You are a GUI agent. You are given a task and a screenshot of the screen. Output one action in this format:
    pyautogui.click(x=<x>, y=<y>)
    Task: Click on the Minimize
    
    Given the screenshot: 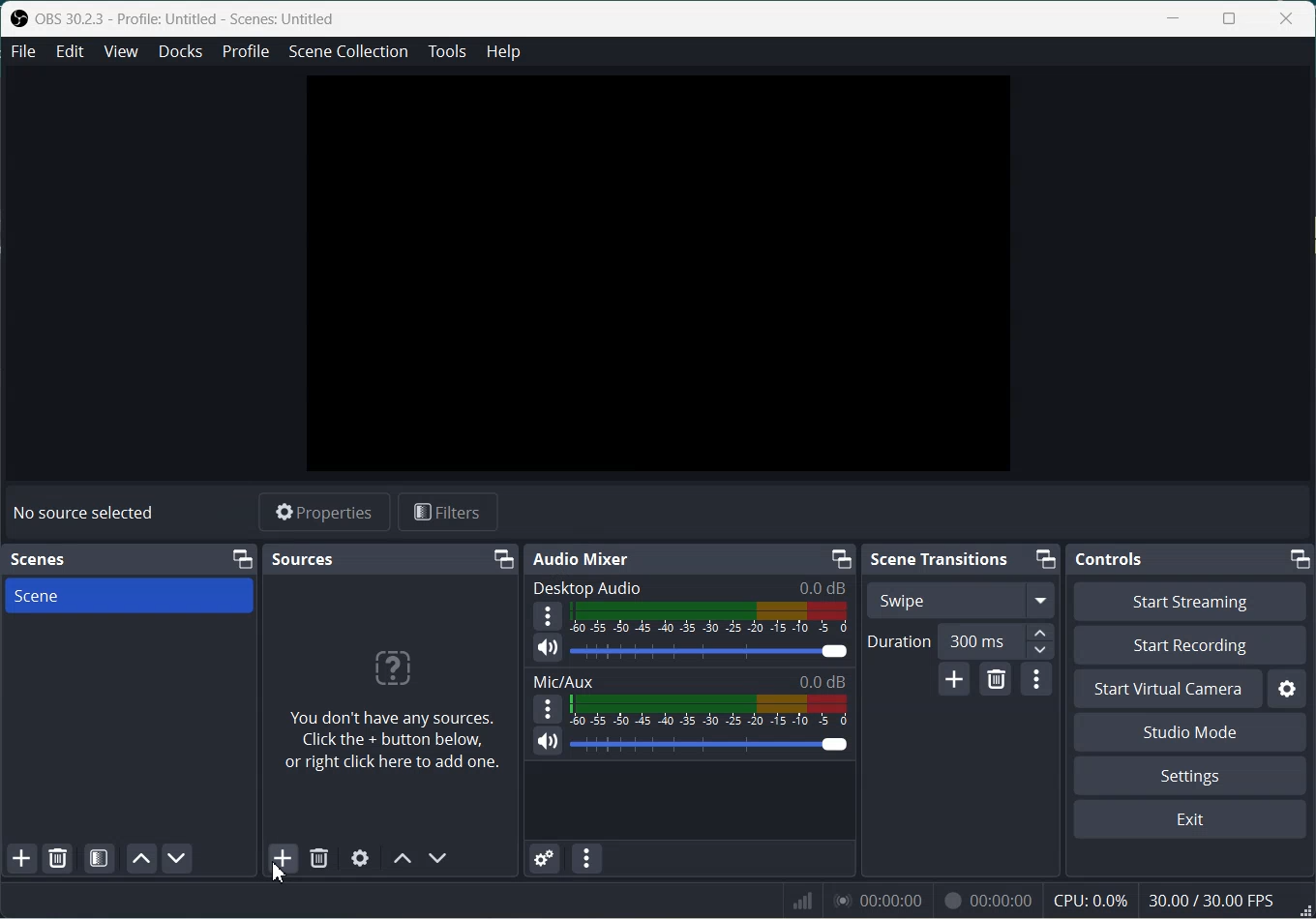 What is the action you would take?
    pyautogui.click(x=1045, y=559)
    